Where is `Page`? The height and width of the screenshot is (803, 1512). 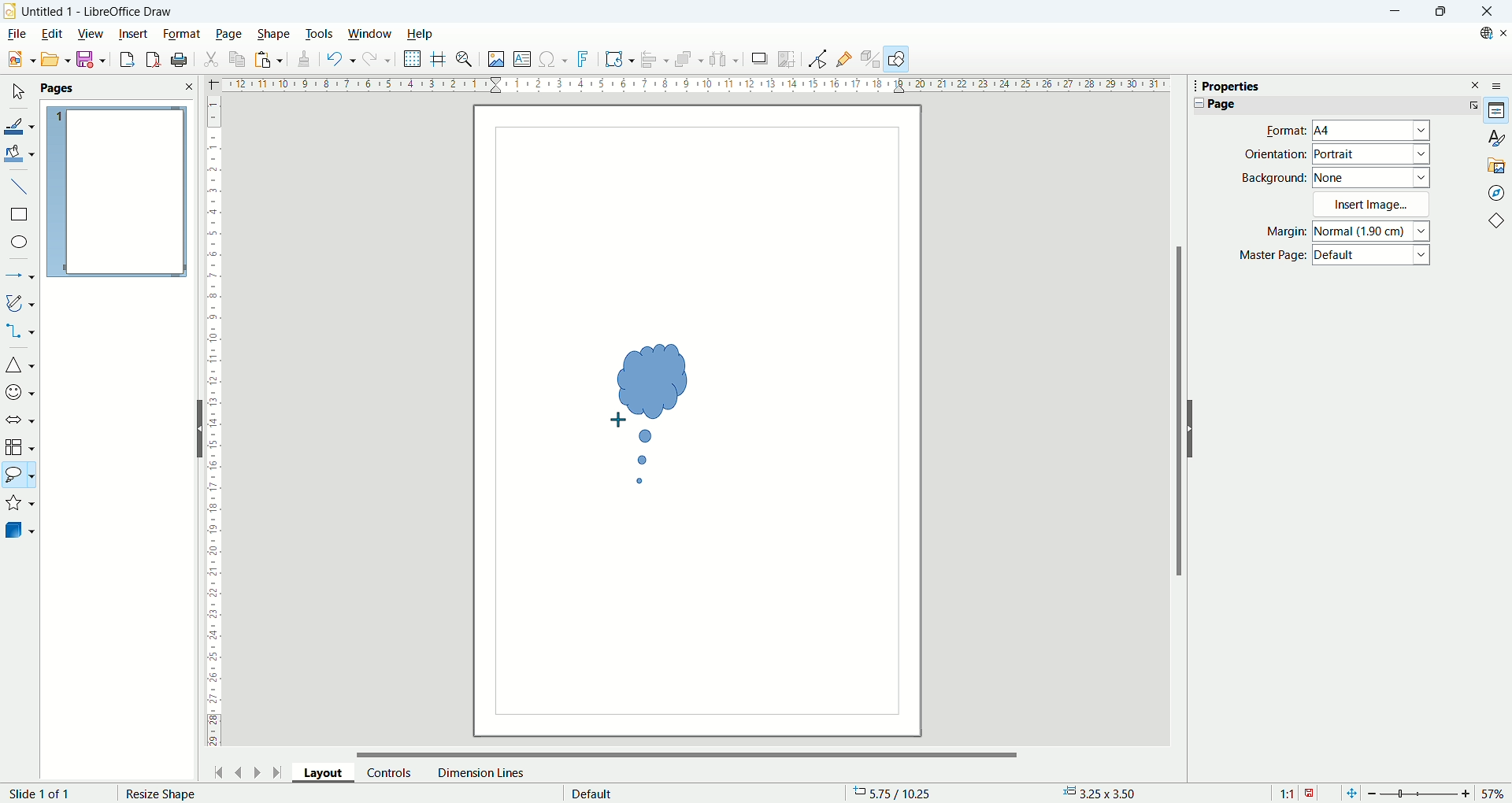
Page is located at coordinates (1221, 104).